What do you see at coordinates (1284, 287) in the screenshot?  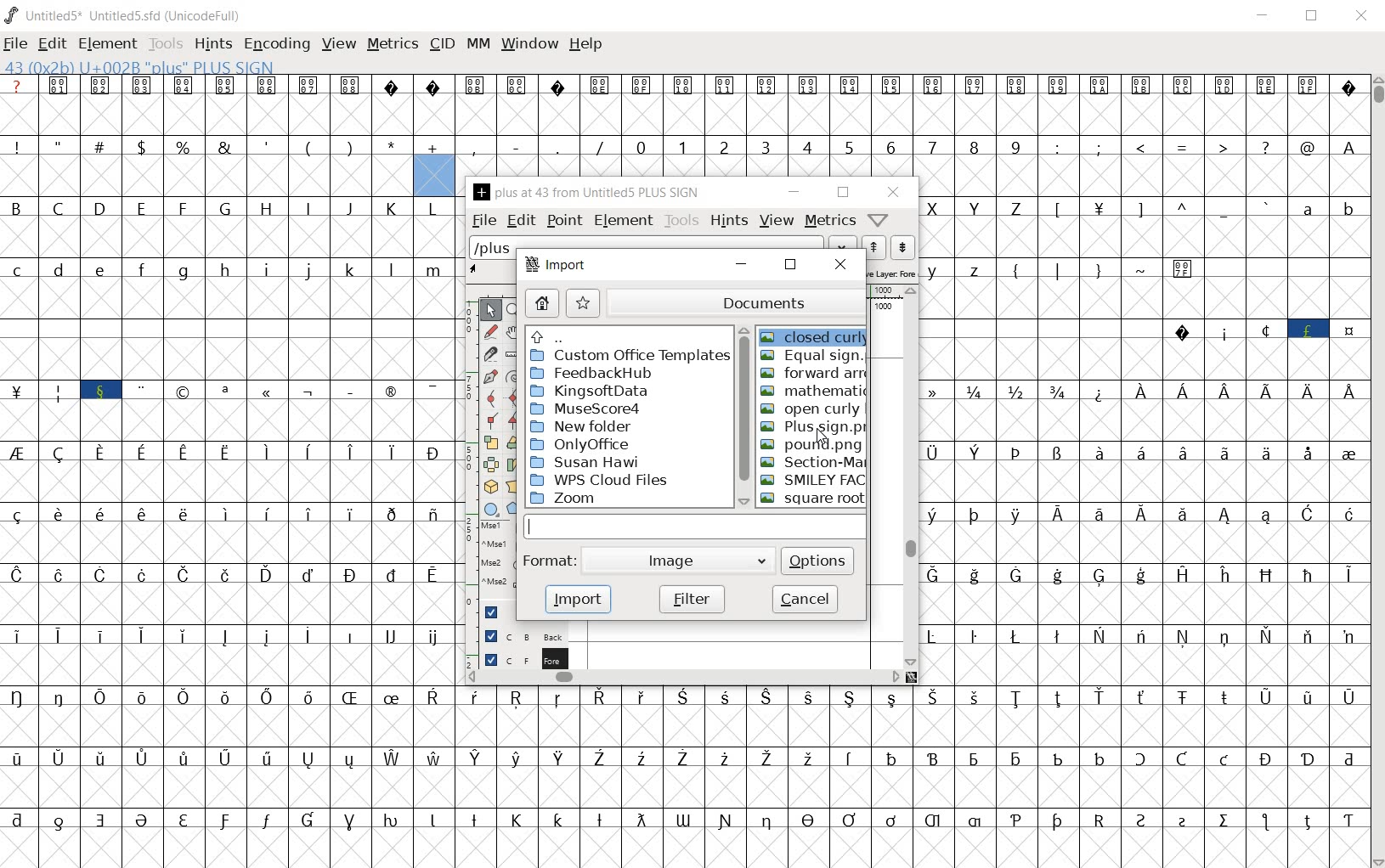 I see `Slot` at bounding box center [1284, 287].